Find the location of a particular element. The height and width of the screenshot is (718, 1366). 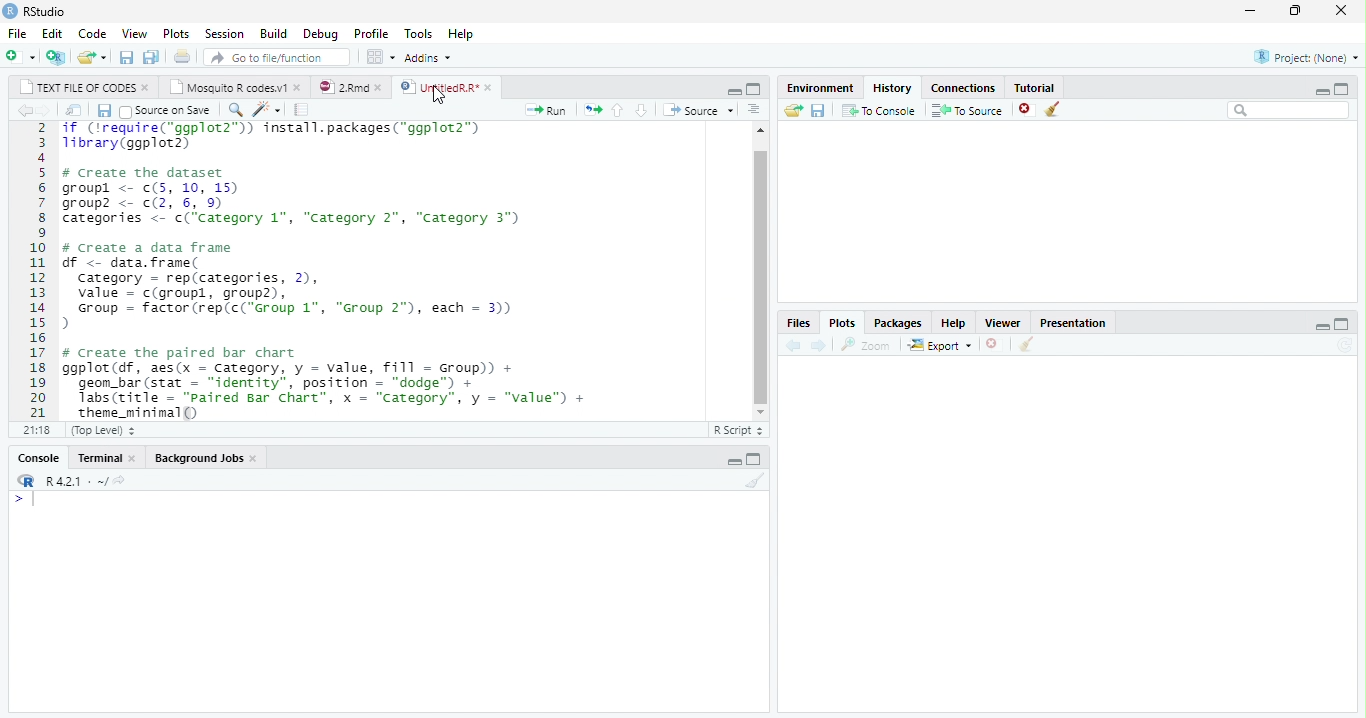

maximize is located at coordinates (1346, 89).